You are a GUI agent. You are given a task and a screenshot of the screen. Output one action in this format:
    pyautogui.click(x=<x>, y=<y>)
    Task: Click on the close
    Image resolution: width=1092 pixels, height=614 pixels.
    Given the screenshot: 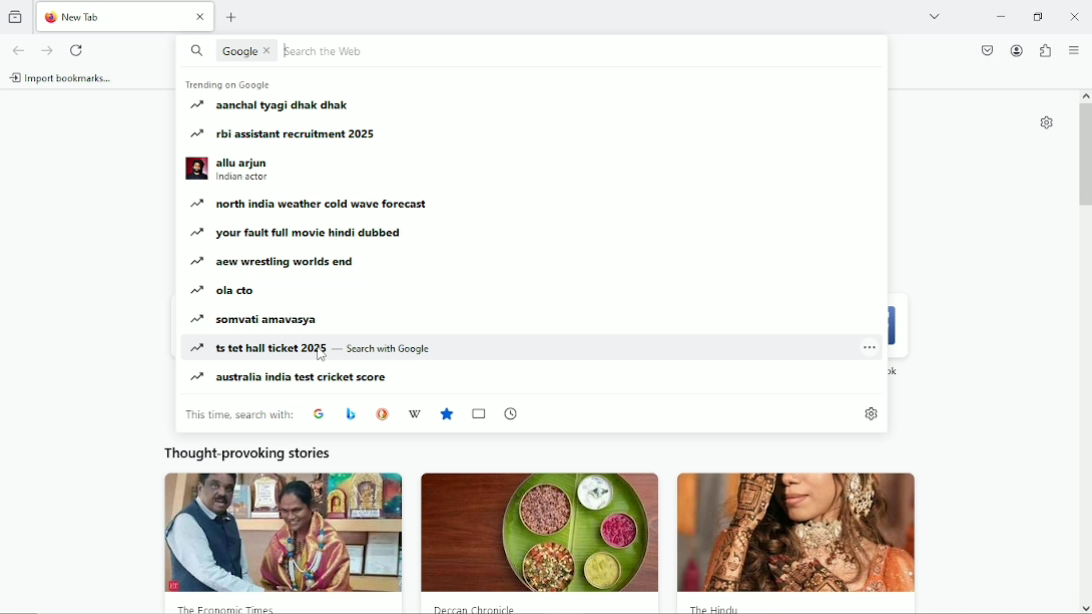 What is the action you would take?
    pyautogui.click(x=200, y=19)
    